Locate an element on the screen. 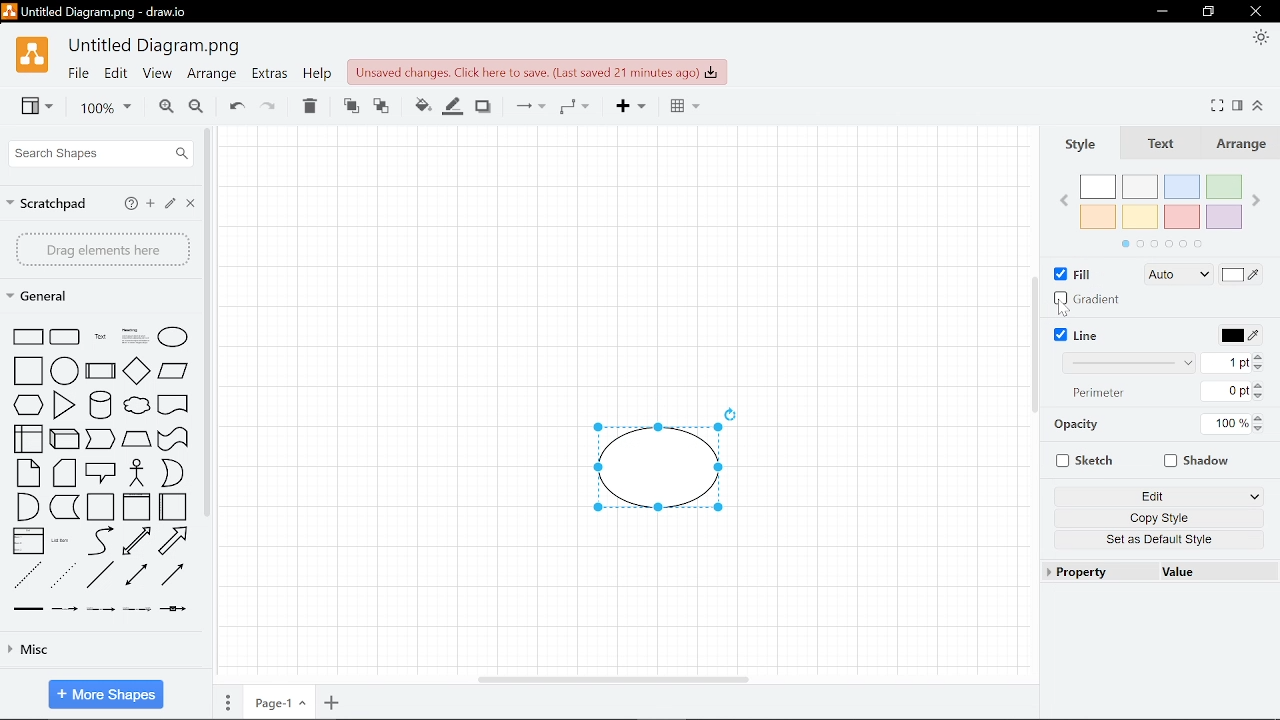 Image resolution: width=1280 pixels, height=720 pixels. Minimize is located at coordinates (1161, 12).